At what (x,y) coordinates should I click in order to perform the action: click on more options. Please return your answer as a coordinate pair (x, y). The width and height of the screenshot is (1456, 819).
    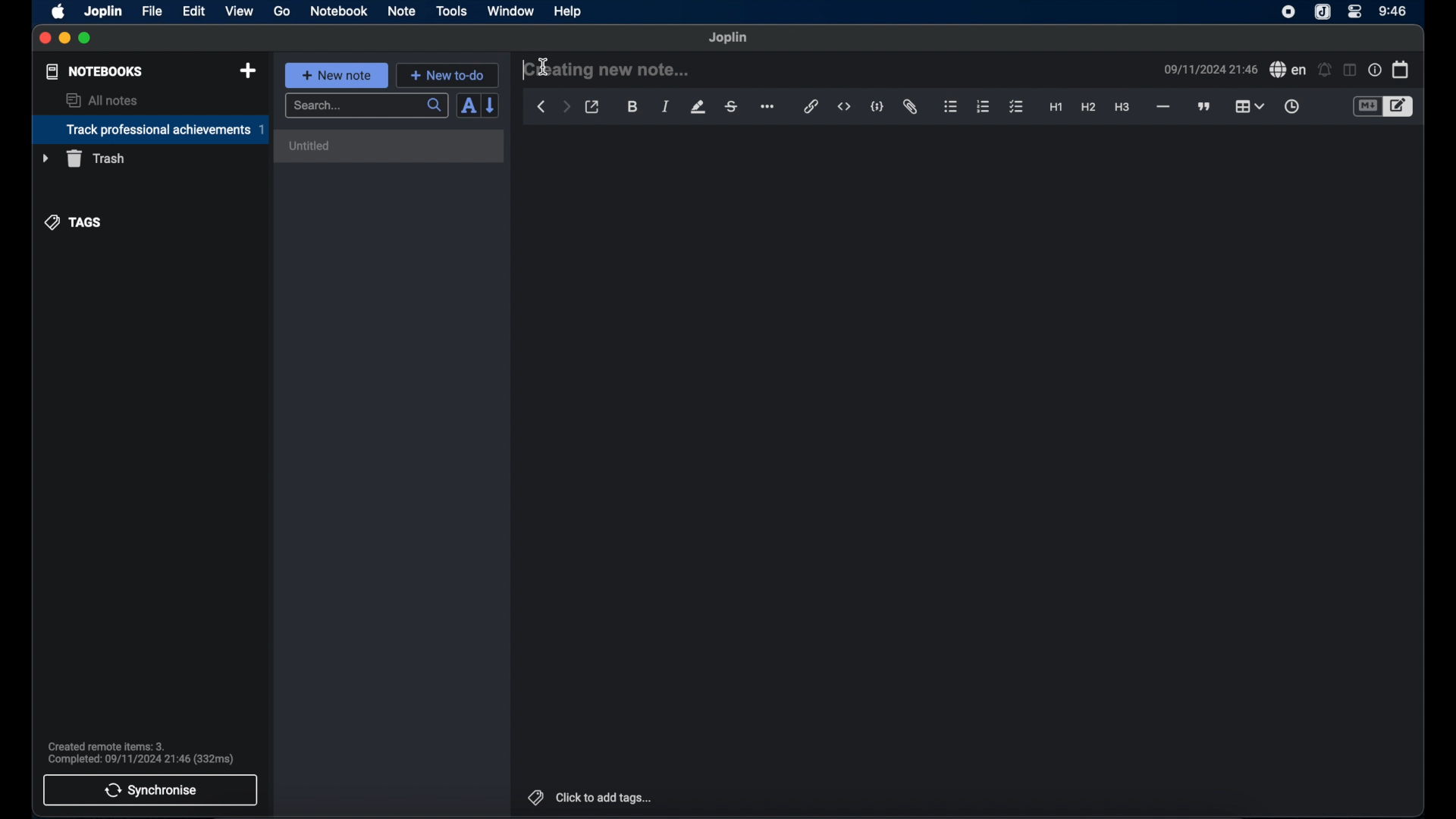
    Looking at the image, I should click on (769, 107).